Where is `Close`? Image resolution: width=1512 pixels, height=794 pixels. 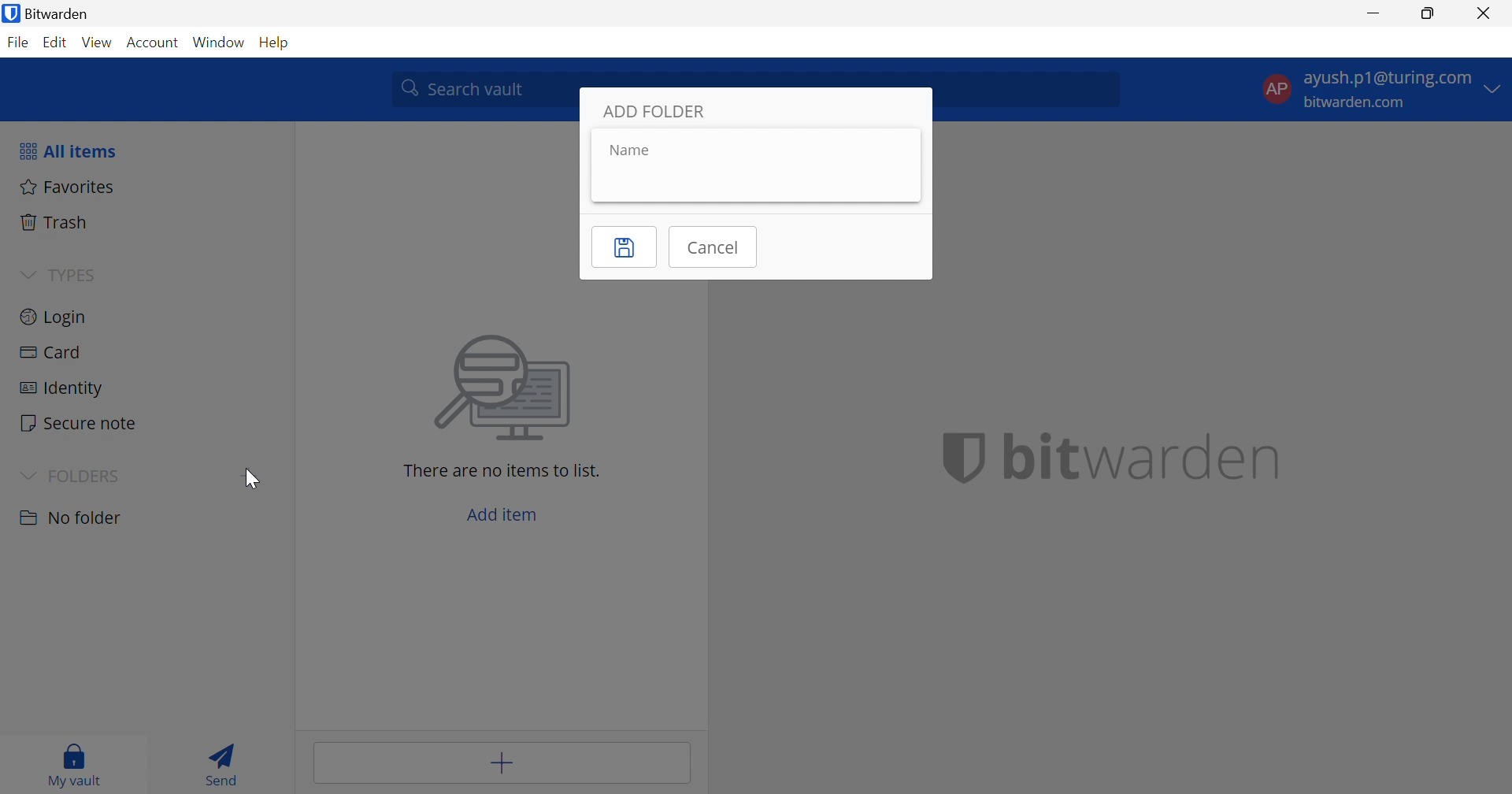
Close is located at coordinates (1482, 13).